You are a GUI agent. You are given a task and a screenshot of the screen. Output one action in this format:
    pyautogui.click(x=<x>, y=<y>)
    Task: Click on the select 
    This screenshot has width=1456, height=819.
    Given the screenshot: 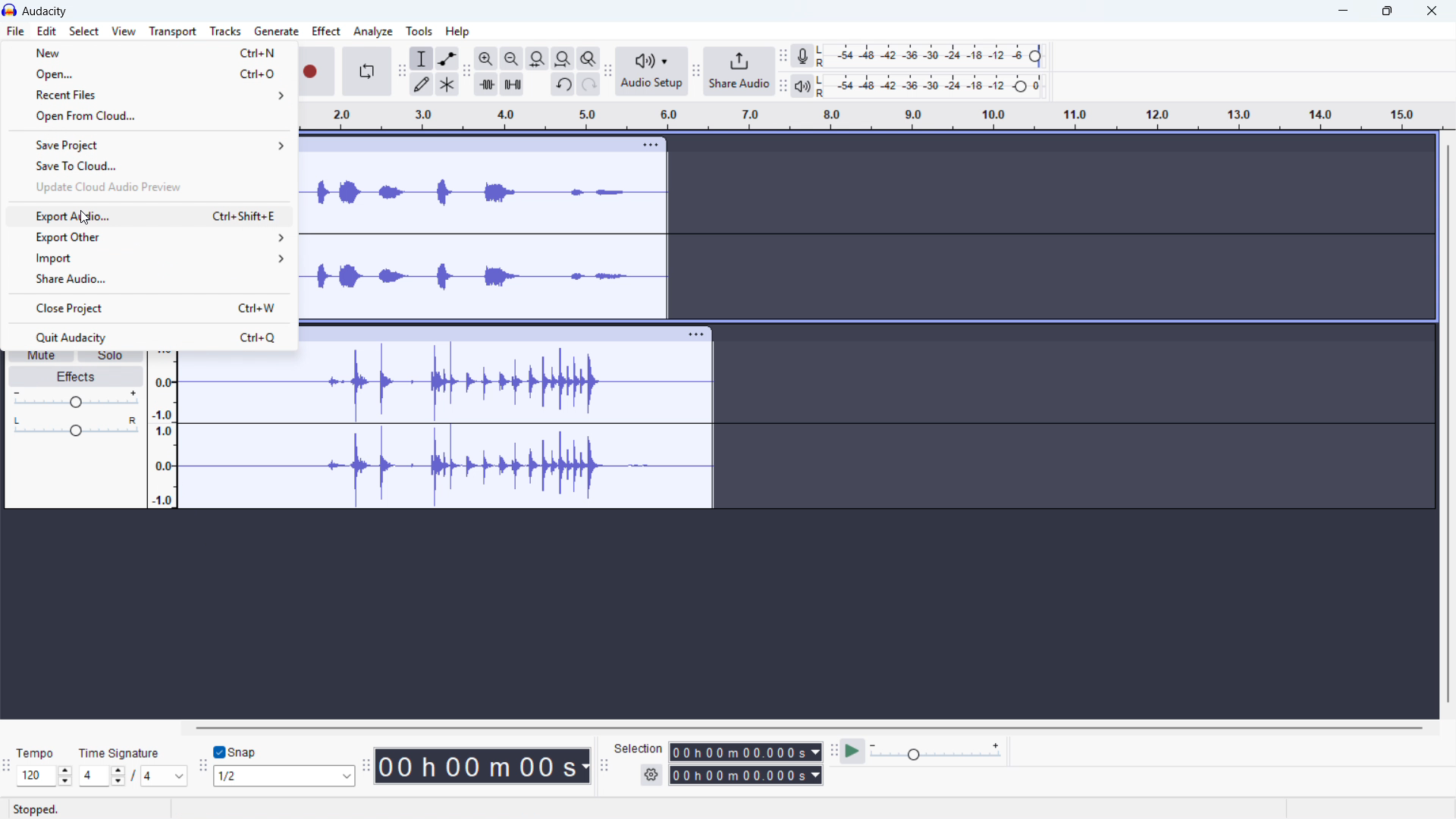 What is the action you would take?
    pyautogui.click(x=84, y=31)
    